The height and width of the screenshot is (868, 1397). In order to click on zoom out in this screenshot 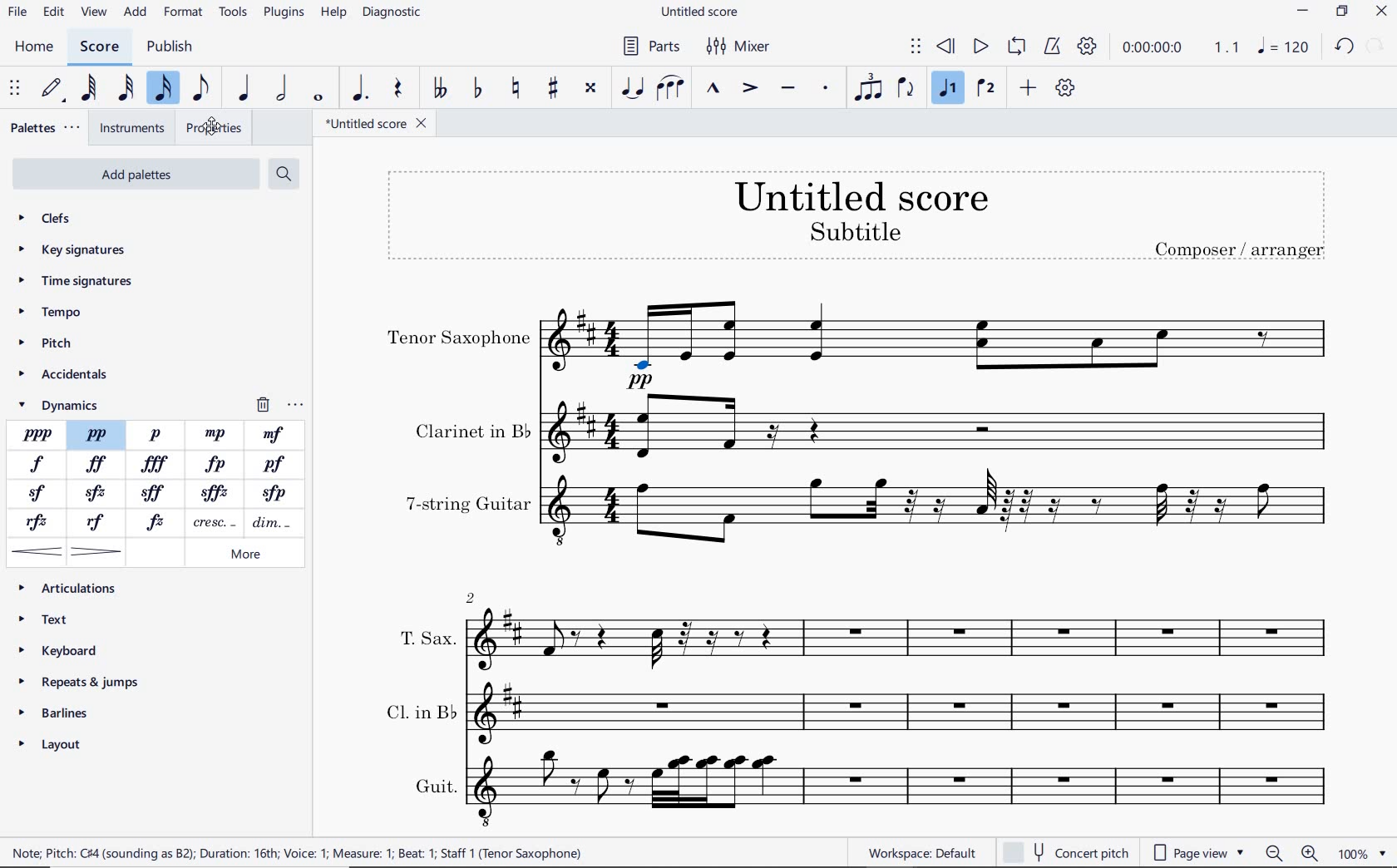, I will do `click(1275, 853)`.